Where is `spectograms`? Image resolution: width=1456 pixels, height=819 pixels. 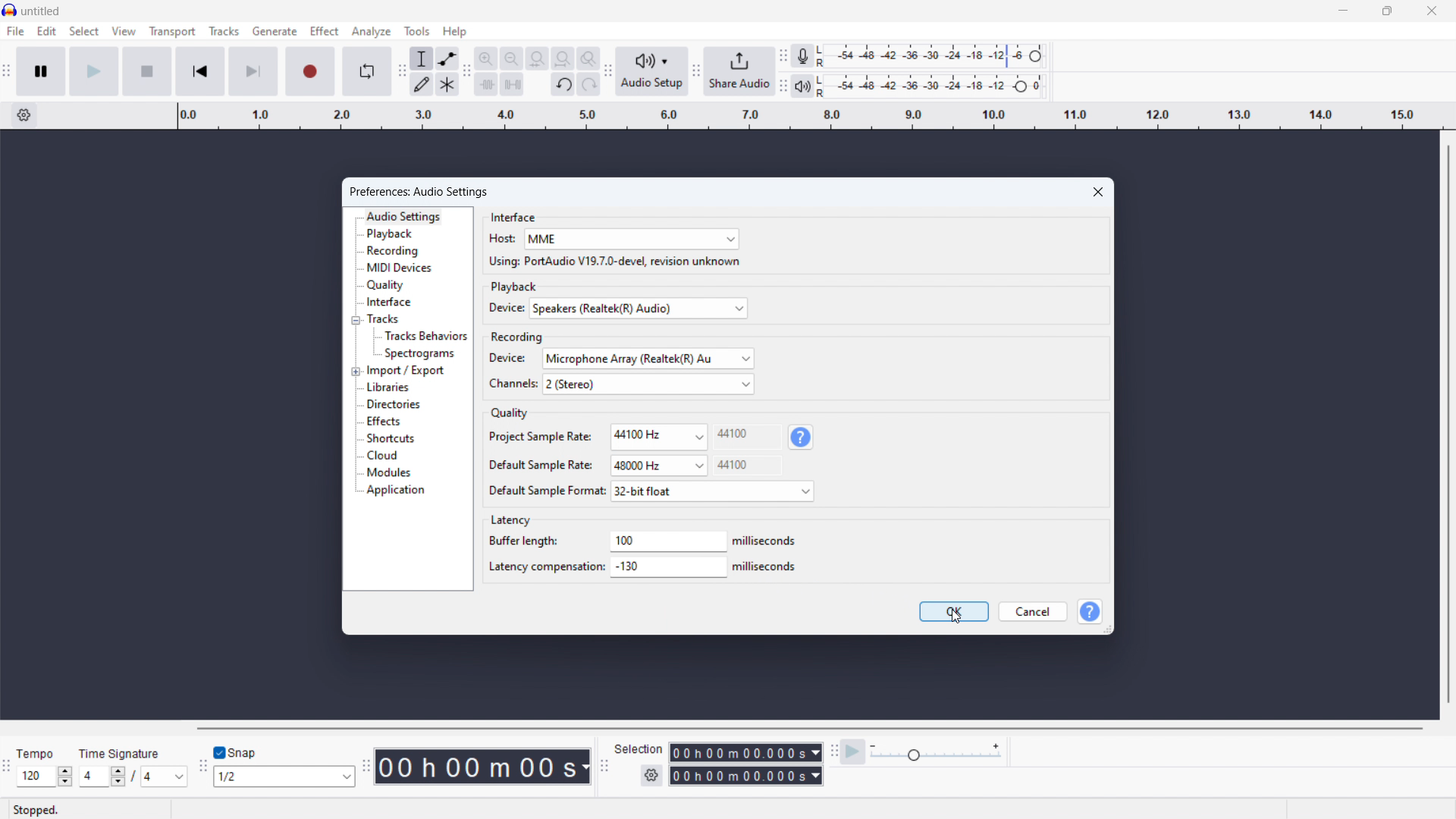
spectograms is located at coordinates (421, 354).